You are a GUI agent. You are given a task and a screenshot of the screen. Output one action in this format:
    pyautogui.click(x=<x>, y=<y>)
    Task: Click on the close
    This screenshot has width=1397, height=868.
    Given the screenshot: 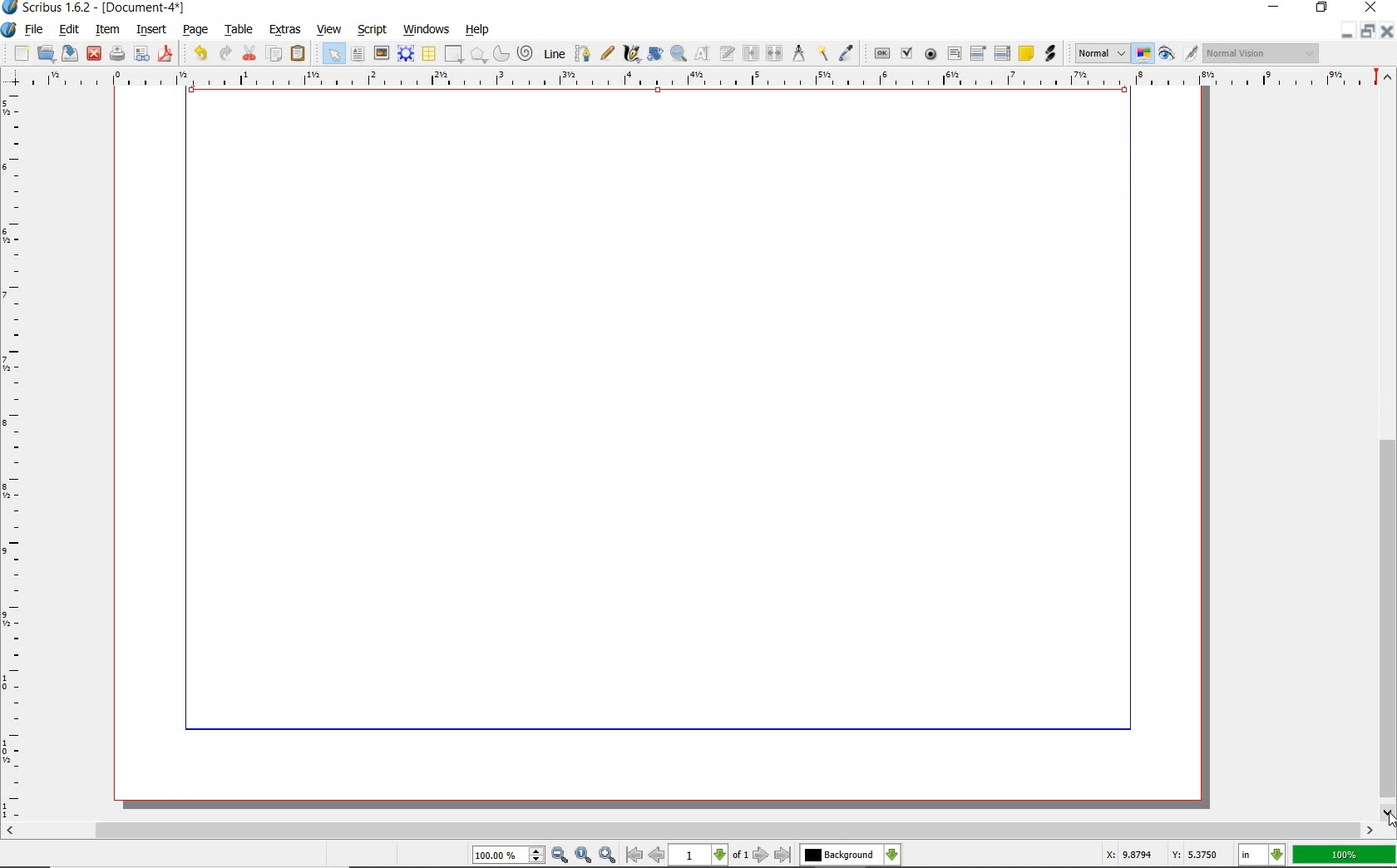 What is the action you would take?
    pyautogui.click(x=94, y=54)
    